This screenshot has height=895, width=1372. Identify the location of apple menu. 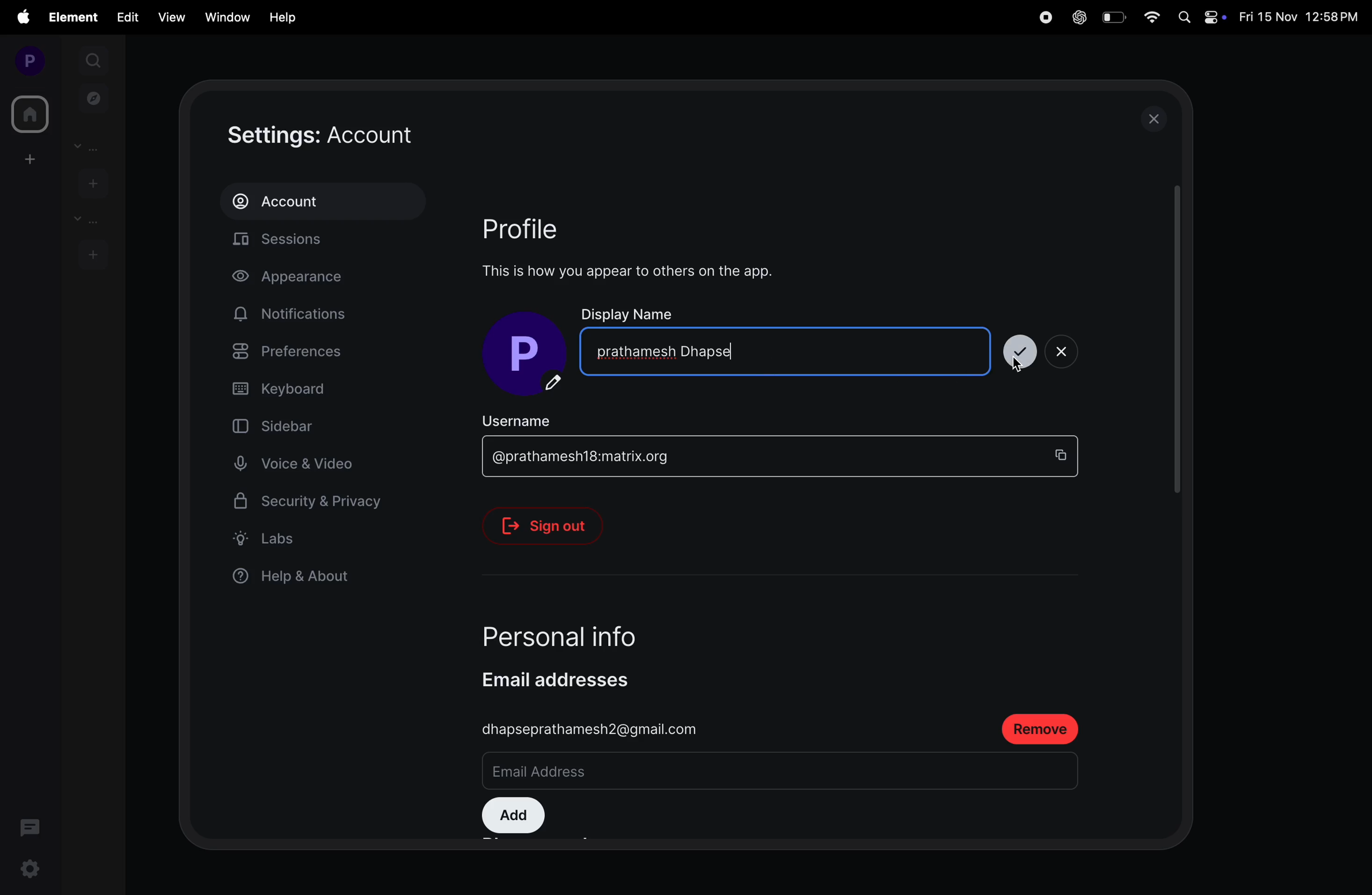
(22, 17).